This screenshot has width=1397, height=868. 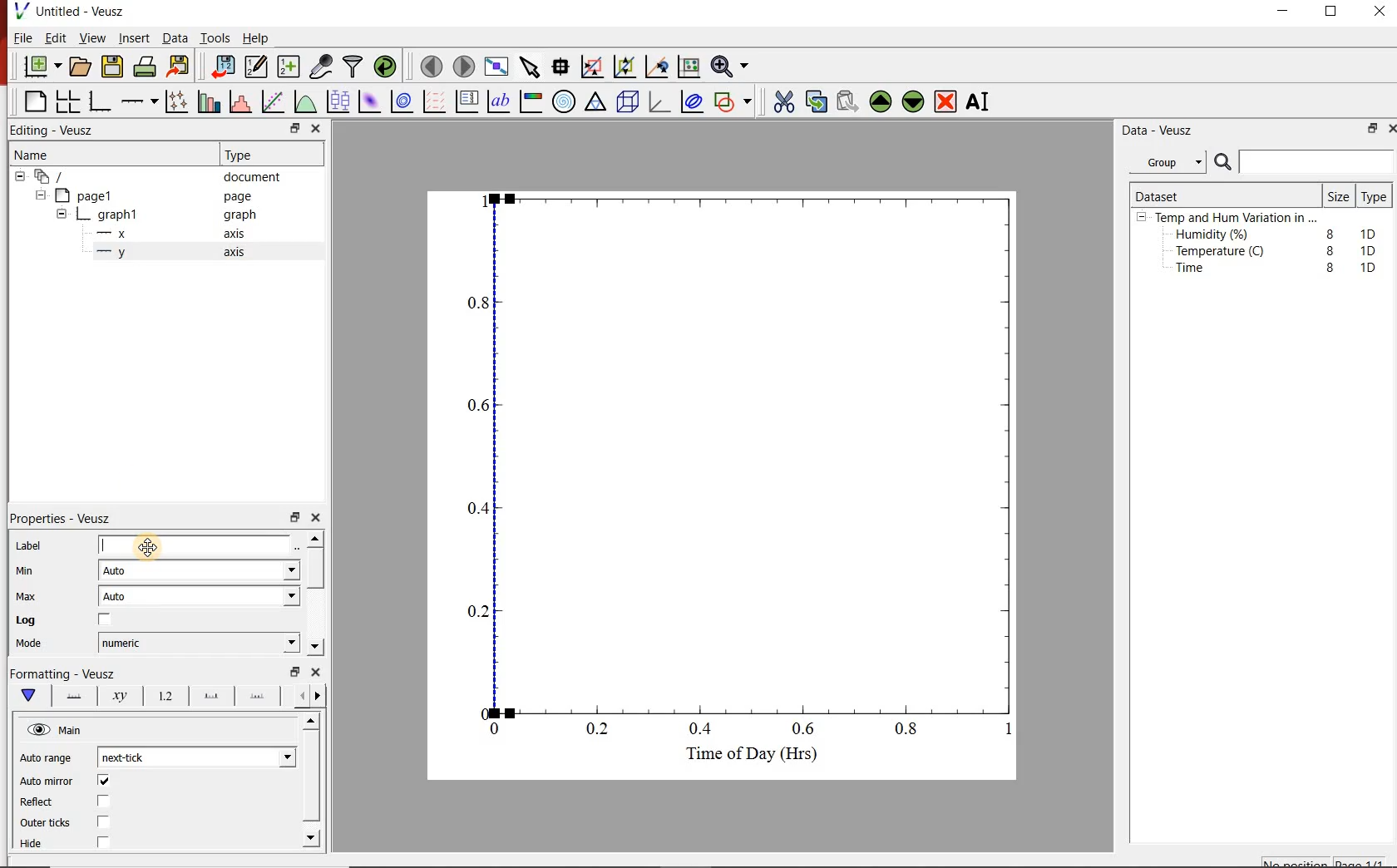 What do you see at coordinates (496, 728) in the screenshot?
I see `0` at bounding box center [496, 728].